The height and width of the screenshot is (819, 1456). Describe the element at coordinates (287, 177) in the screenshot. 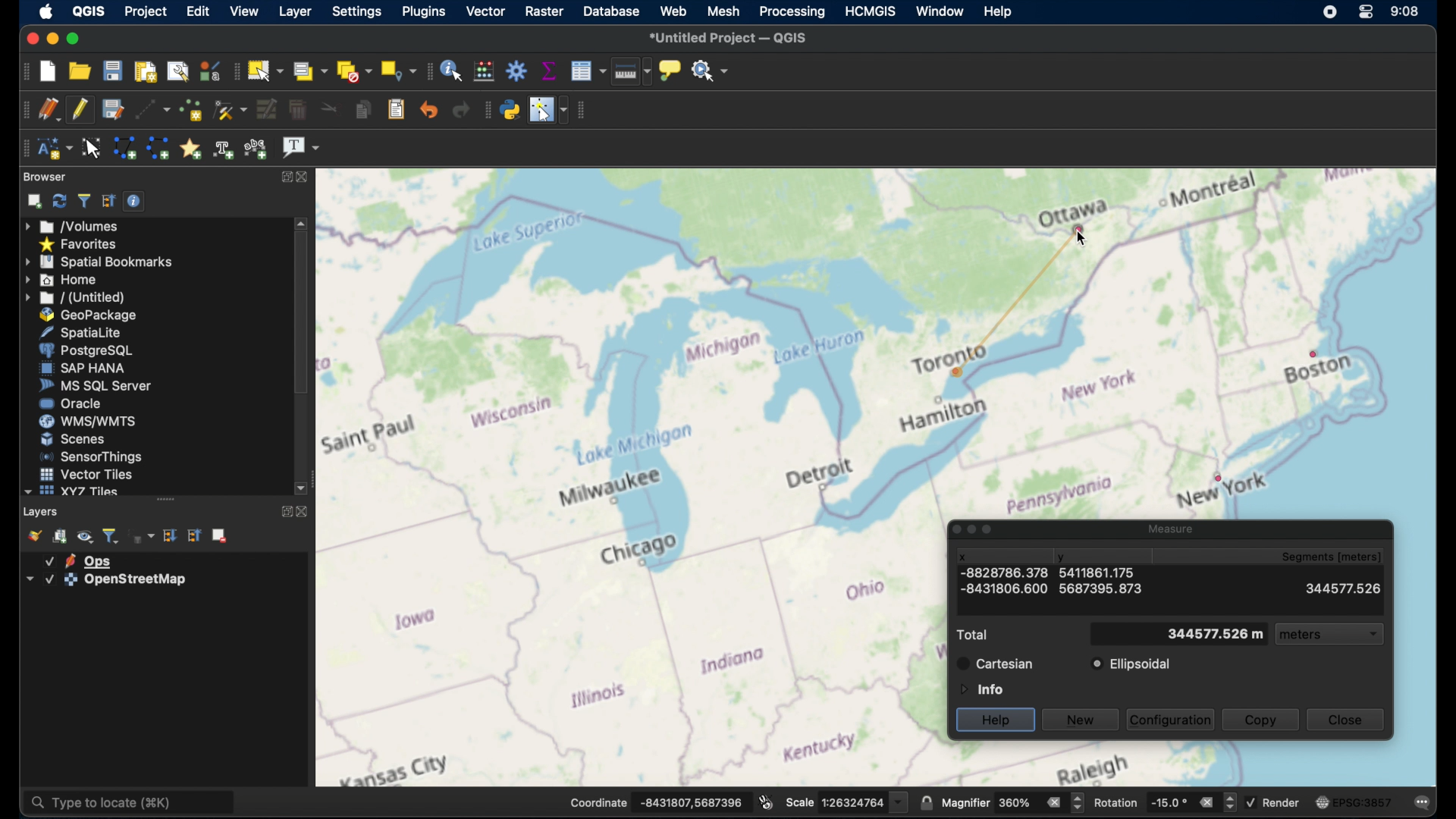

I see `maximize` at that location.